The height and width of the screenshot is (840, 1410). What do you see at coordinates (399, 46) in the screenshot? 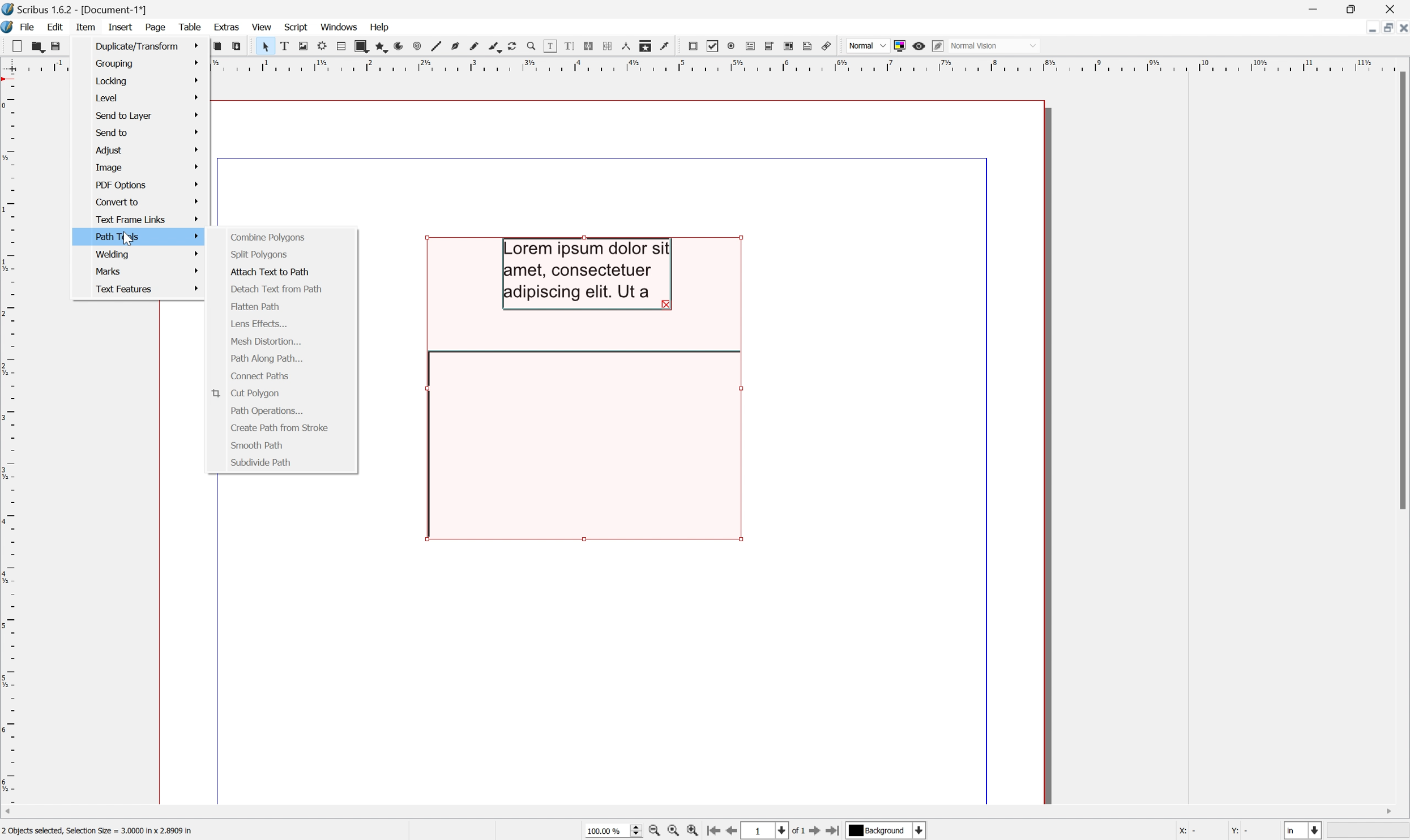
I see `Arc` at bounding box center [399, 46].